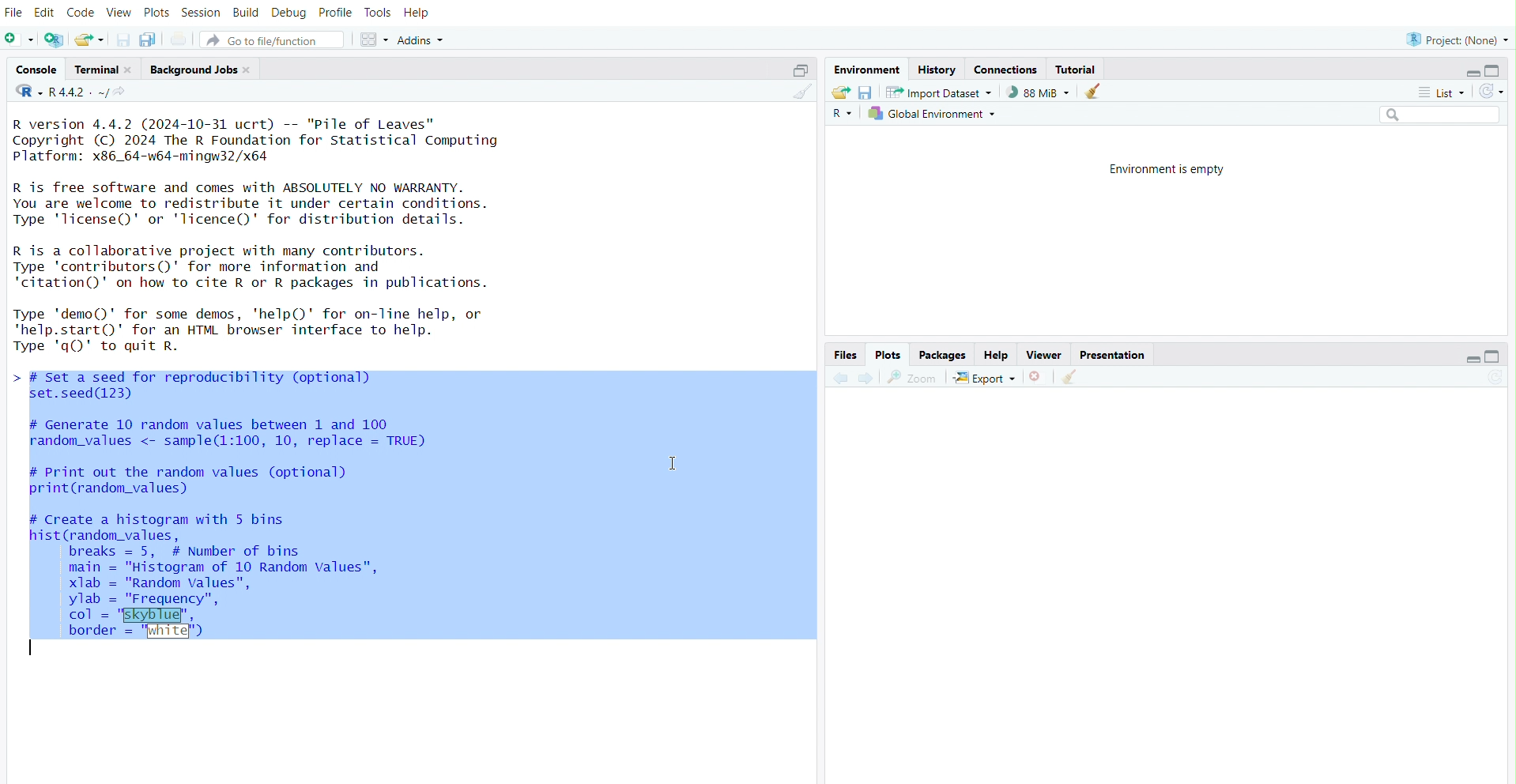  What do you see at coordinates (375, 37) in the screenshot?
I see `workspace panes` at bounding box center [375, 37].